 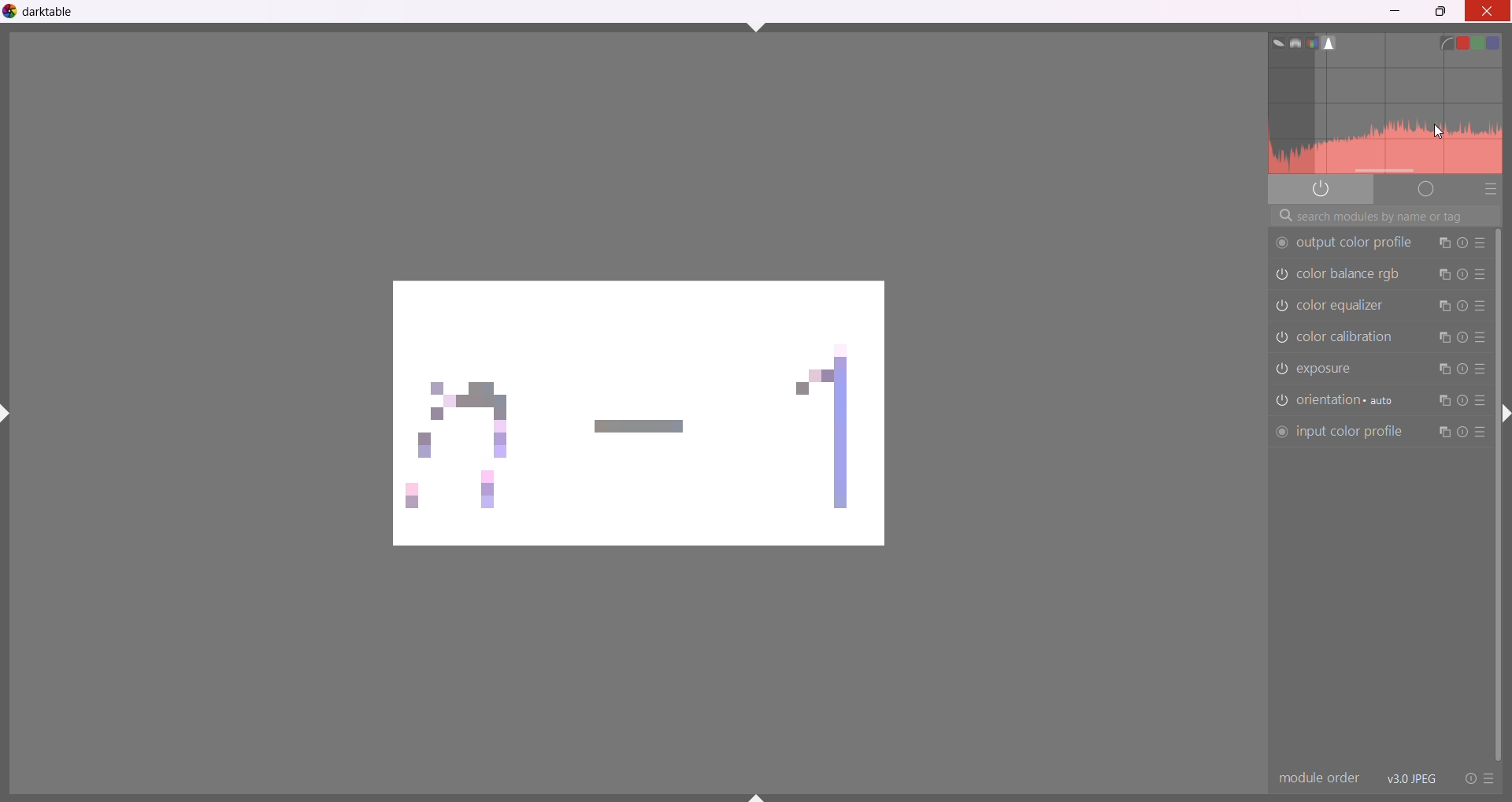 What do you see at coordinates (1480, 436) in the screenshot?
I see `presets` at bounding box center [1480, 436].